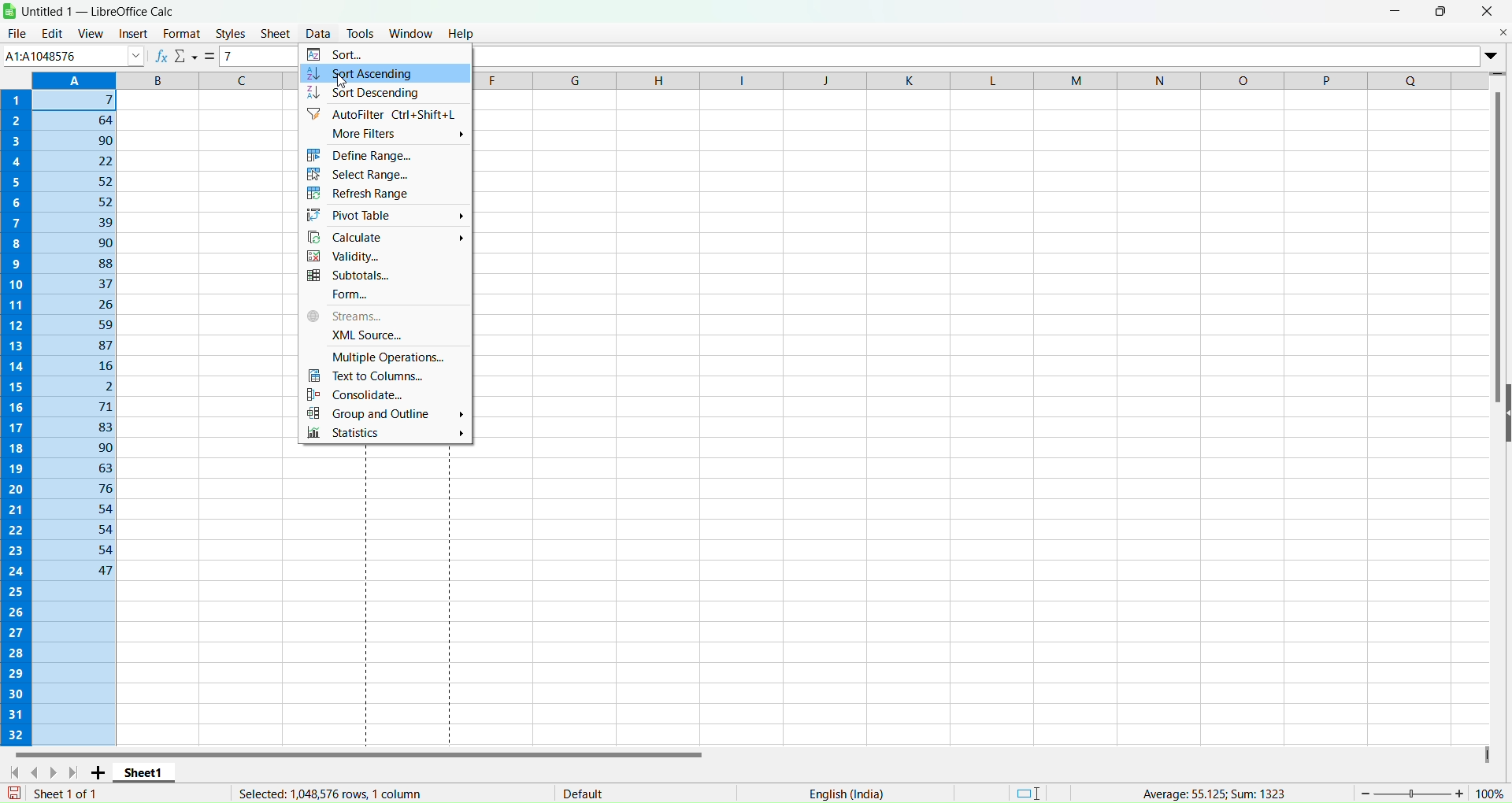  Describe the element at coordinates (382, 155) in the screenshot. I see `Define Range` at that location.